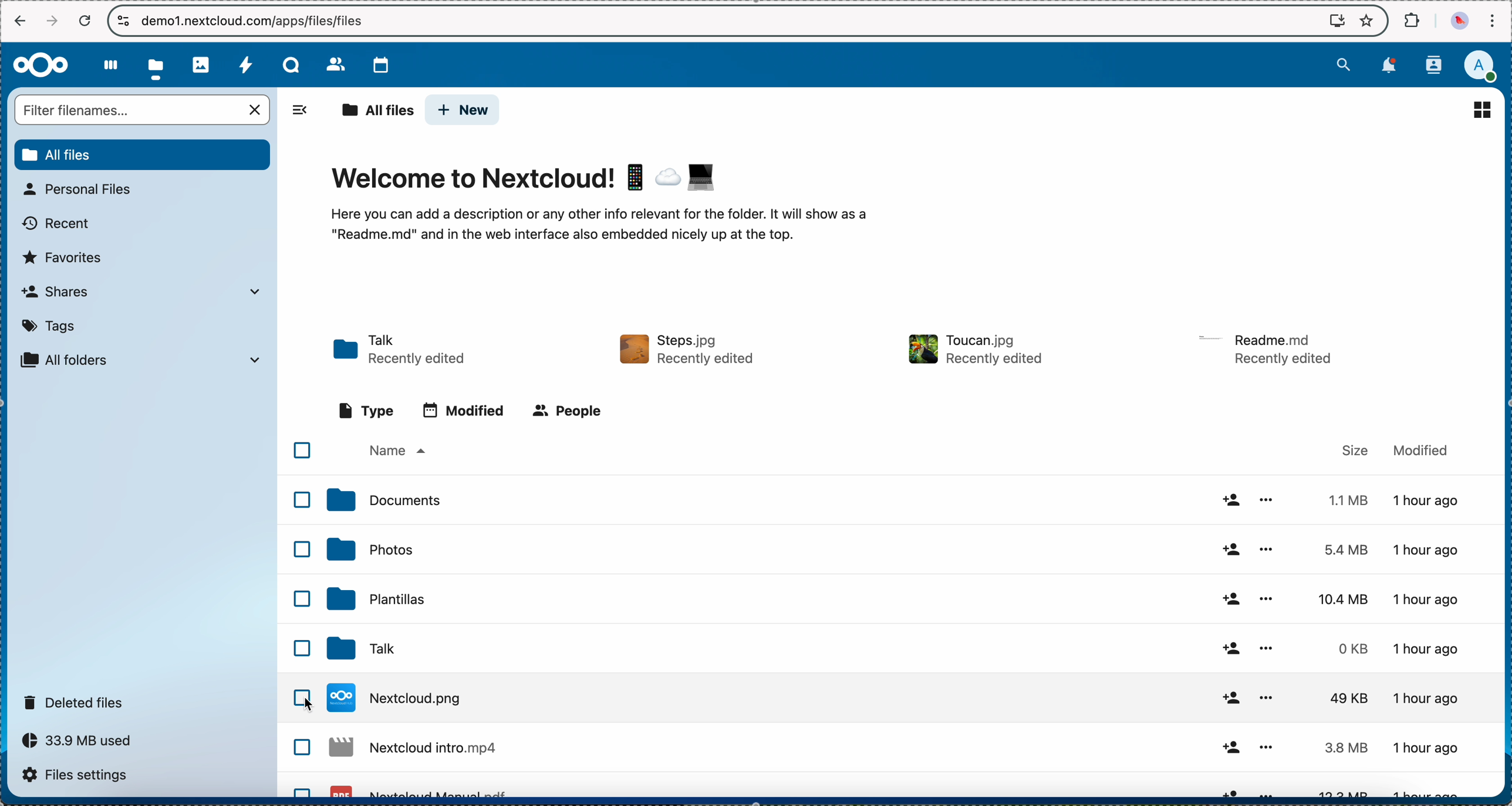 This screenshot has height=806, width=1512. Describe the element at coordinates (400, 351) in the screenshot. I see `Talk` at that location.